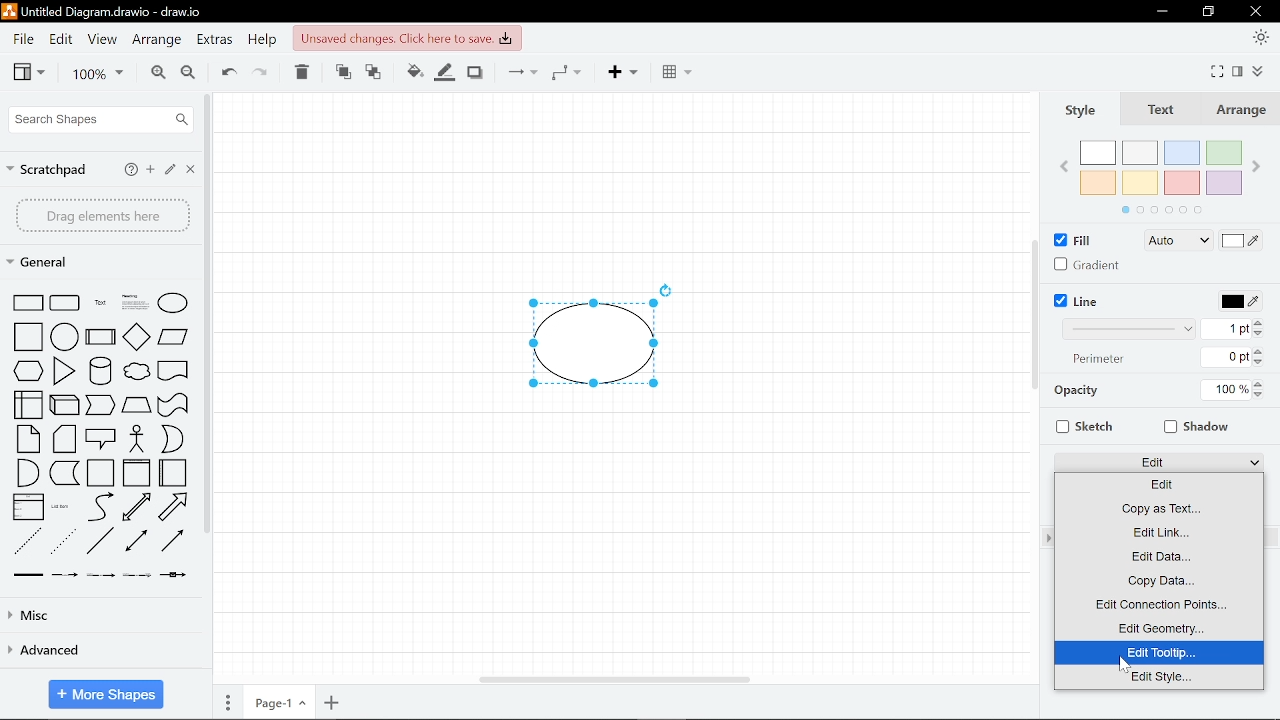 The image size is (1280, 720). I want to click on Delete, so click(301, 74).